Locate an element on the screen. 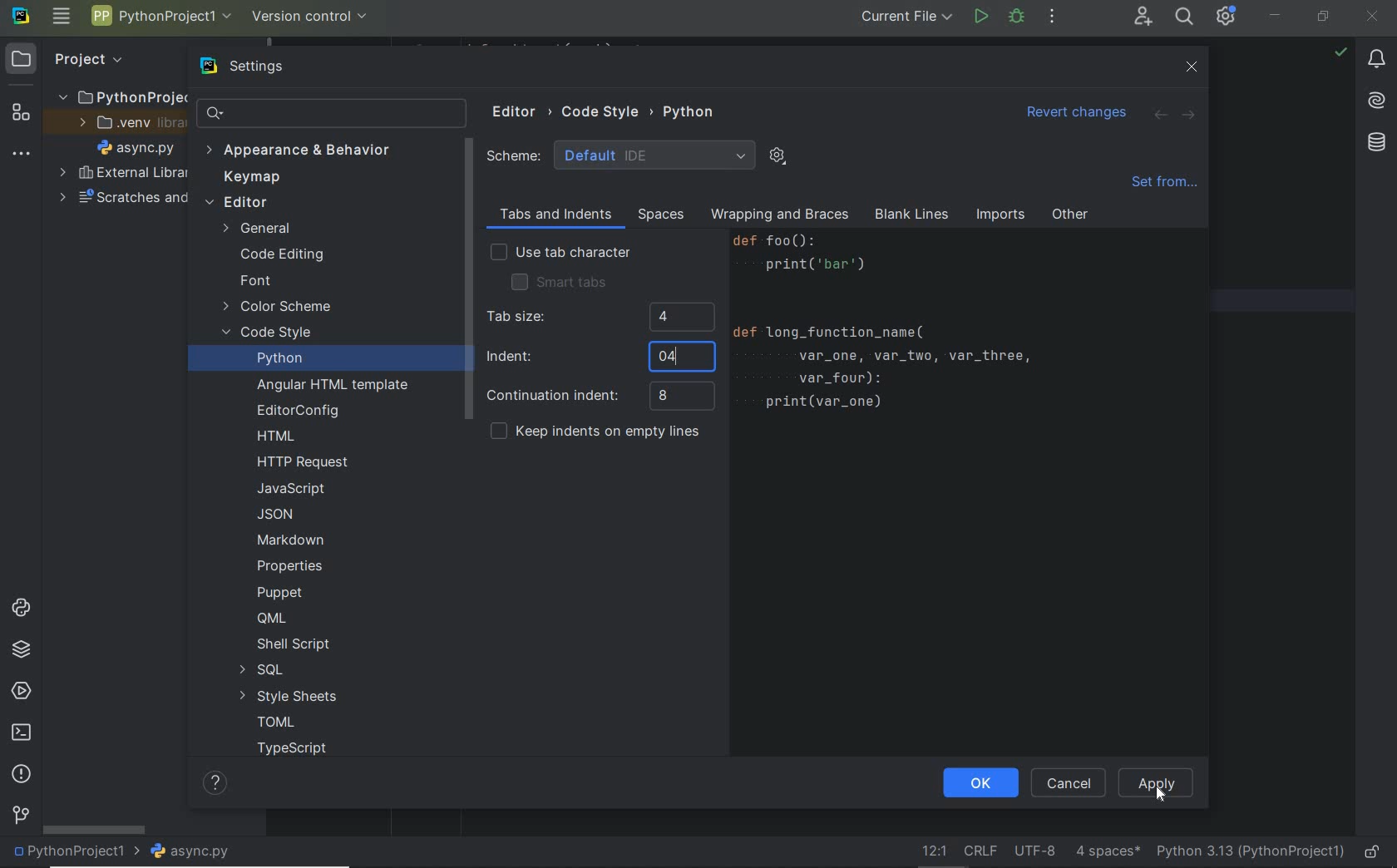 This screenshot has width=1397, height=868. HTML is located at coordinates (277, 437).